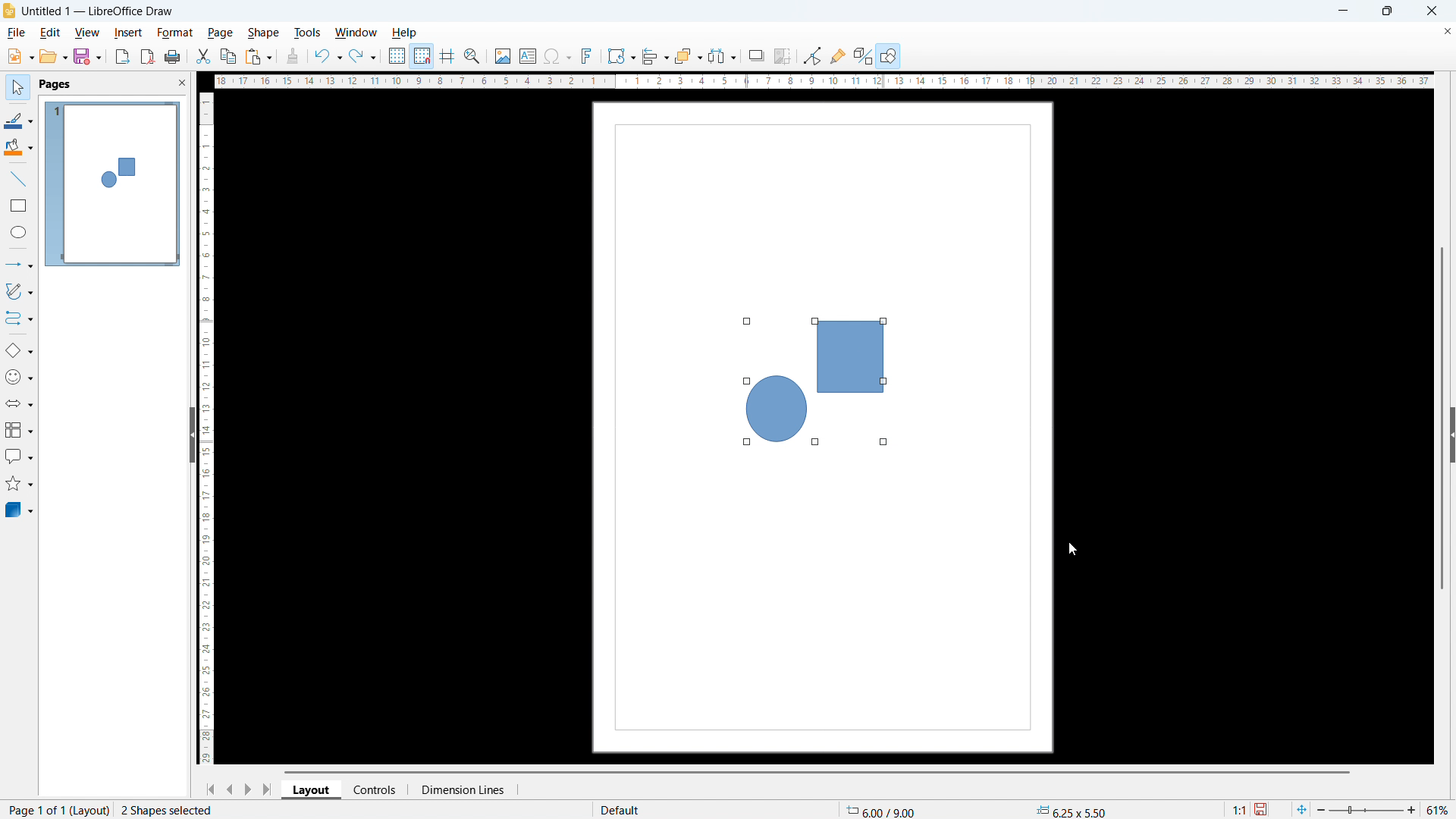 The image size is (1456, 819). Describe the element at coordinates (211, 789) in the screenshot. I see `go to first page` at that location.